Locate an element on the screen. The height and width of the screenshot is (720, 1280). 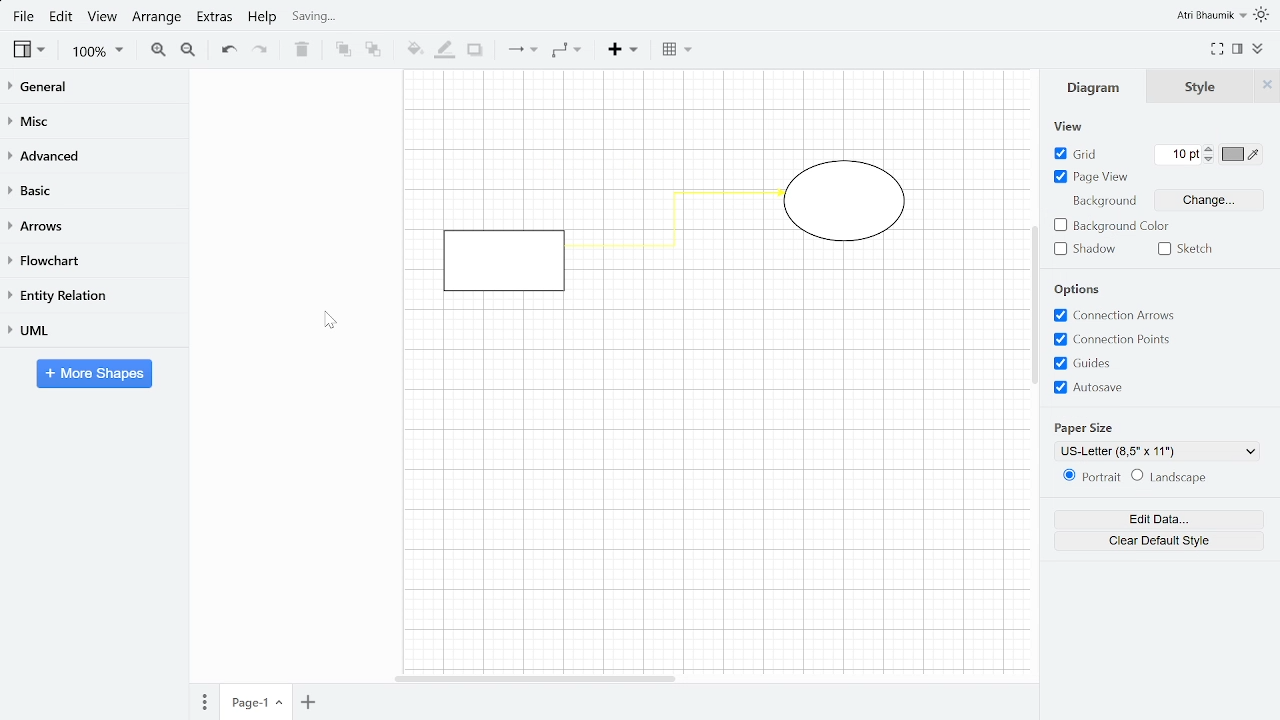
Close is located at coordinates (1267, 86).